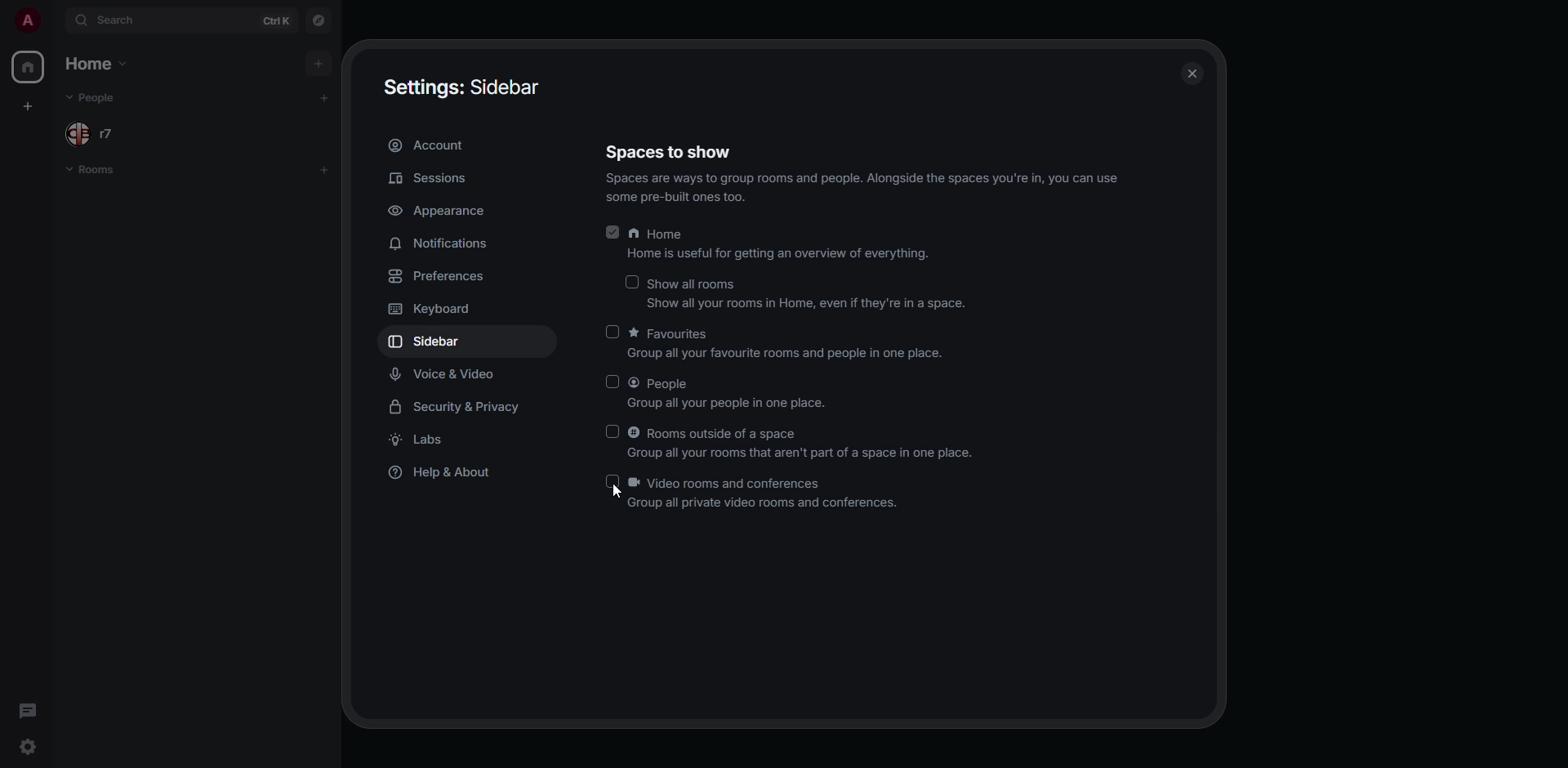 Image resolution: width=1568 pixels, height=768 pixels. Describe the element at coordinates (29, 105) in the screenshot. I see `create space` at that location.